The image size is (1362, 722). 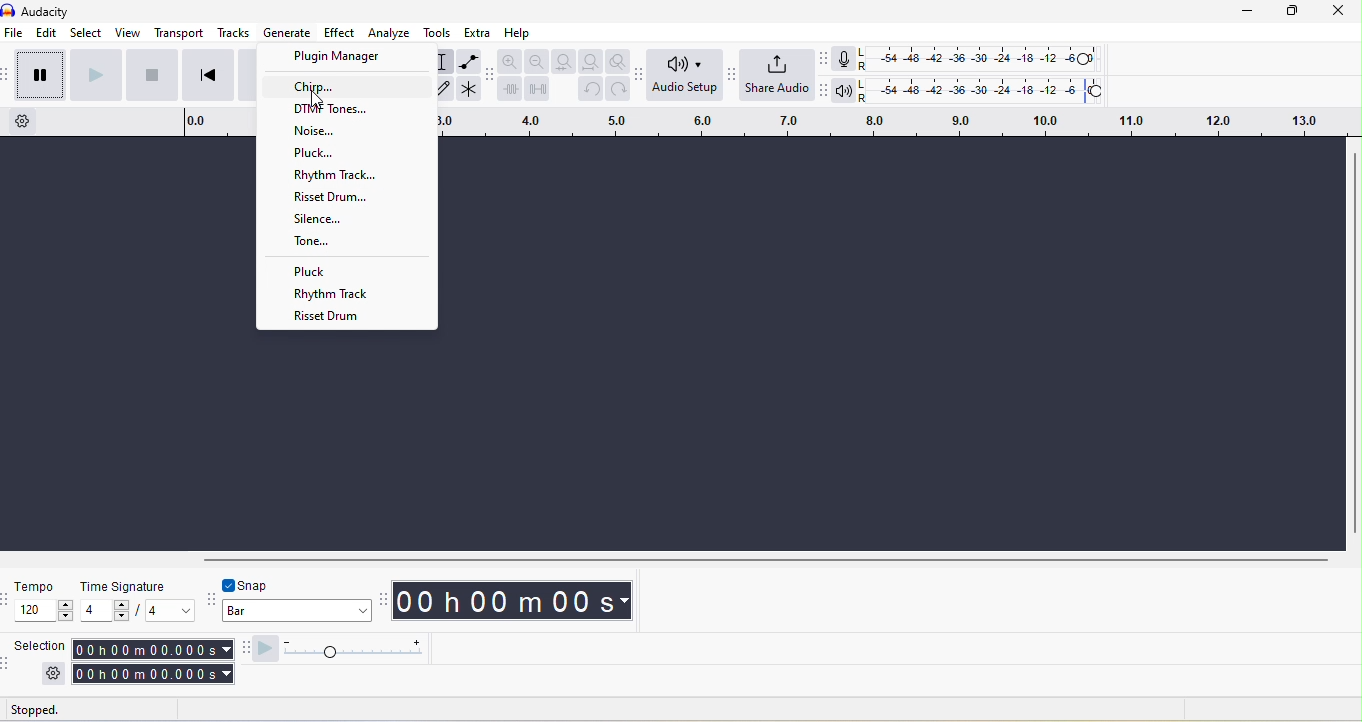 What do you see at coordinates (341, 88) in the screenshot?
I see `chirp` at bounding box center [341, 88].